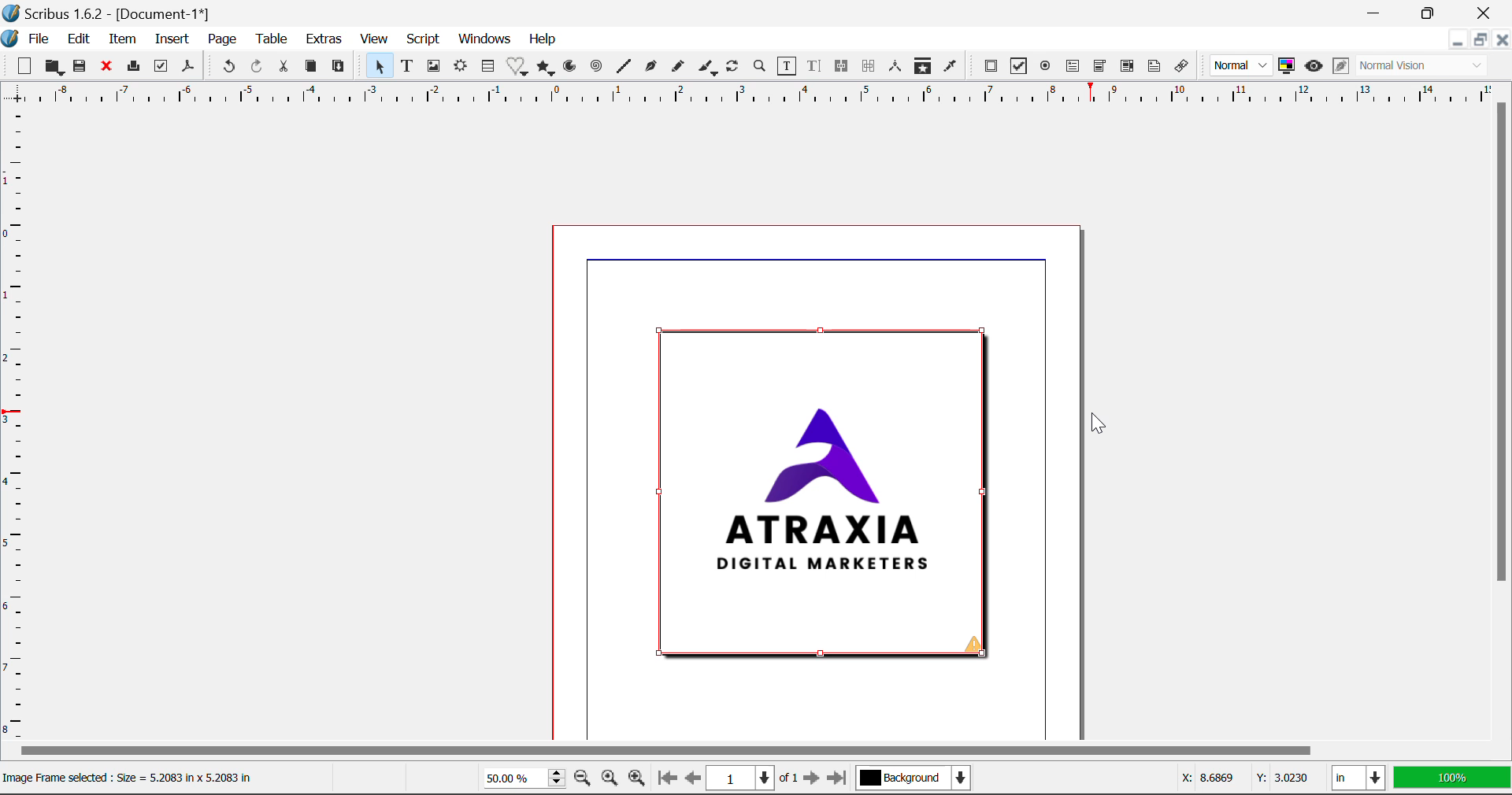 Image resolution: width=1512 pixels, height=795 pixels. I want to click on Close, so click(1502, 40).